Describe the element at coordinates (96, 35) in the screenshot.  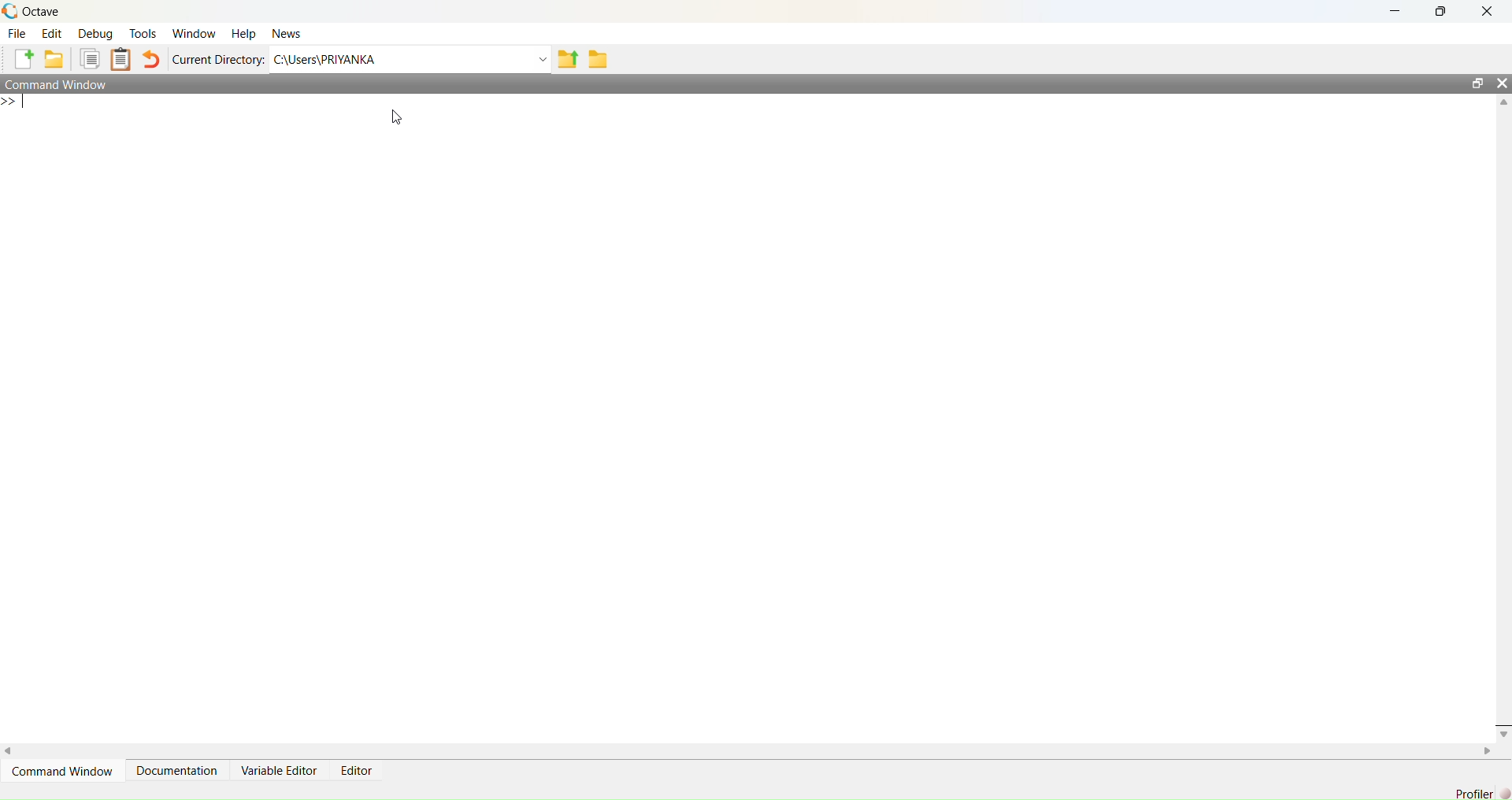
I see `Debug` at that location.